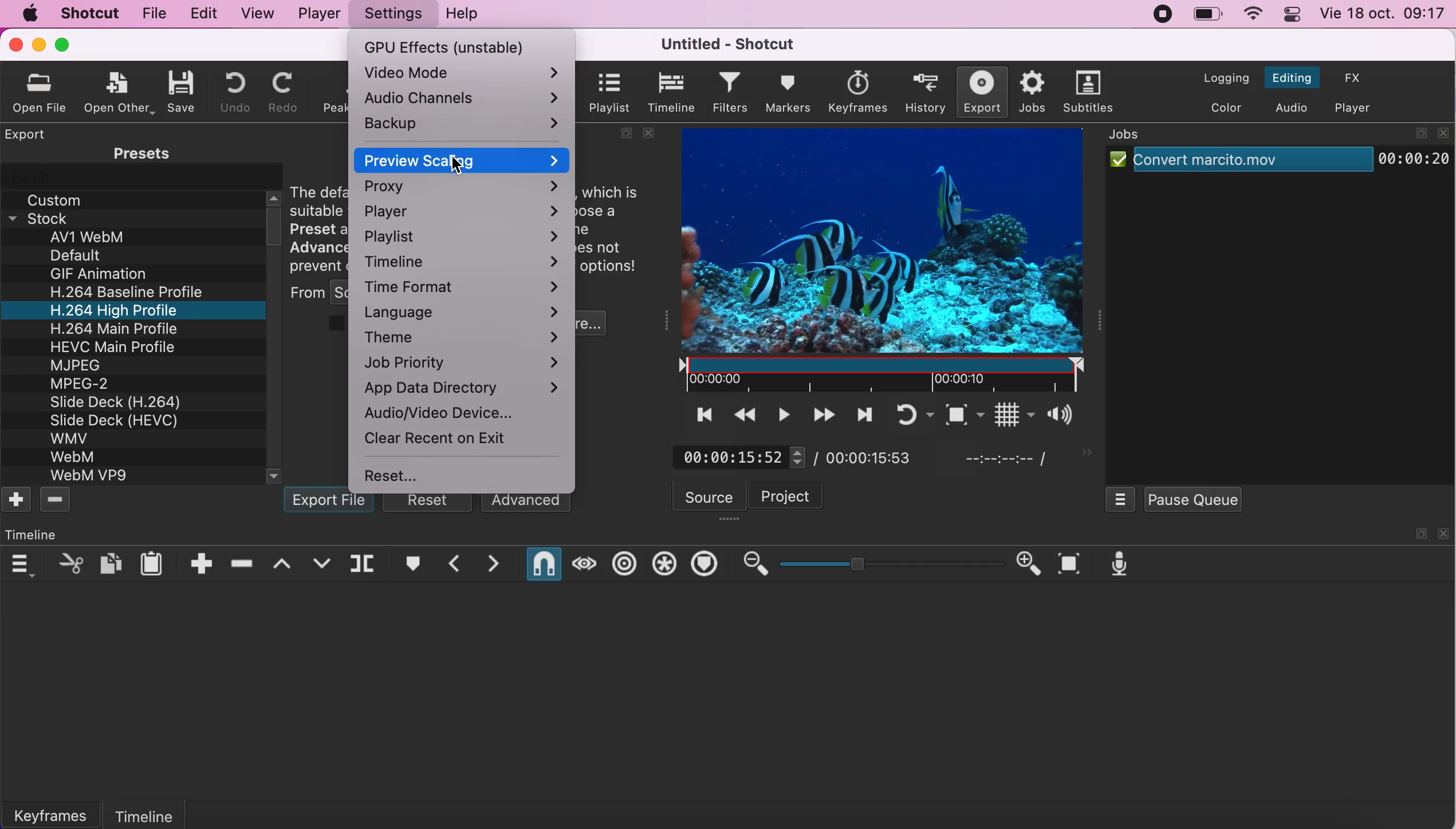  I want to click on audio/video device, so click(445, 415).